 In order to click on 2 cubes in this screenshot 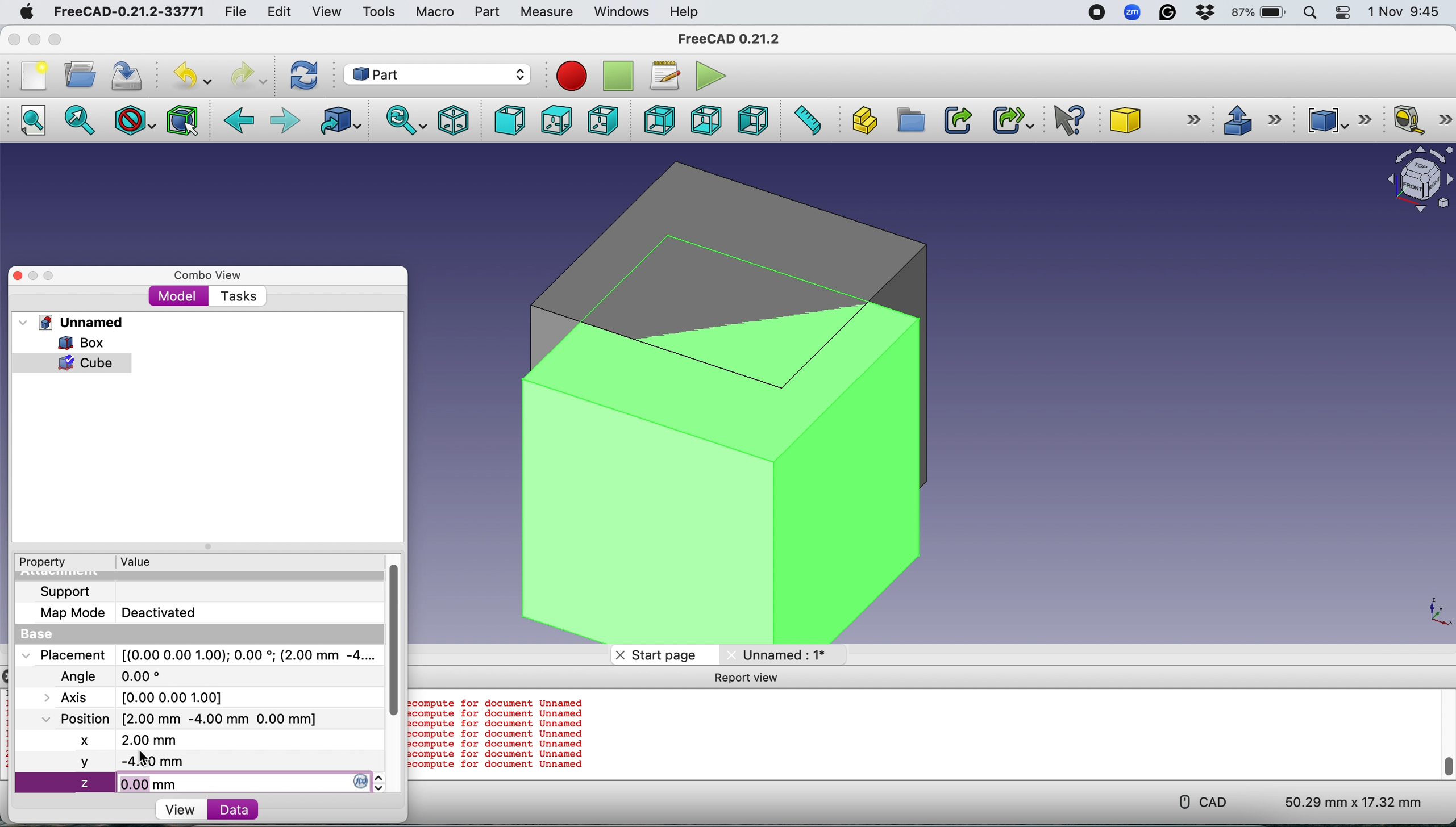, I will do `click(746, 400)`.